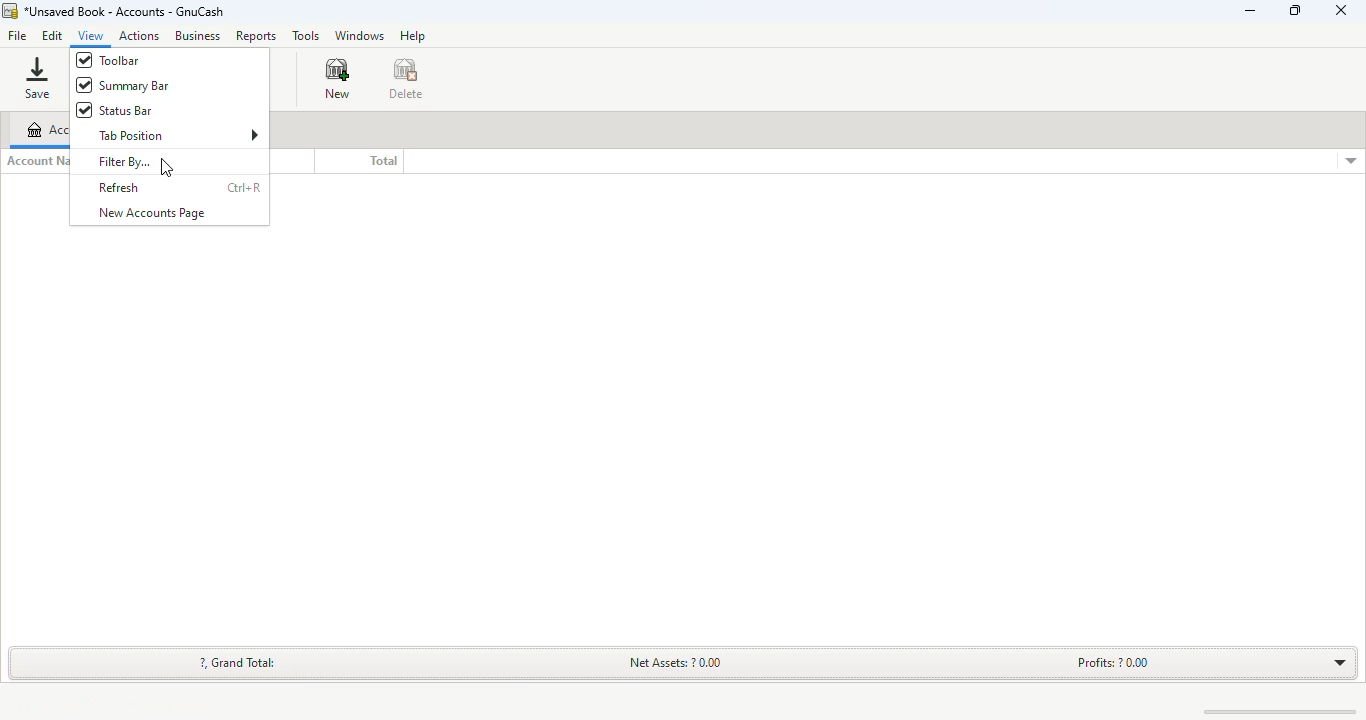  What do you see at coordinates (150, 213) in the screenshot?
I see `new accounts page` at bounding box center [150, 213].